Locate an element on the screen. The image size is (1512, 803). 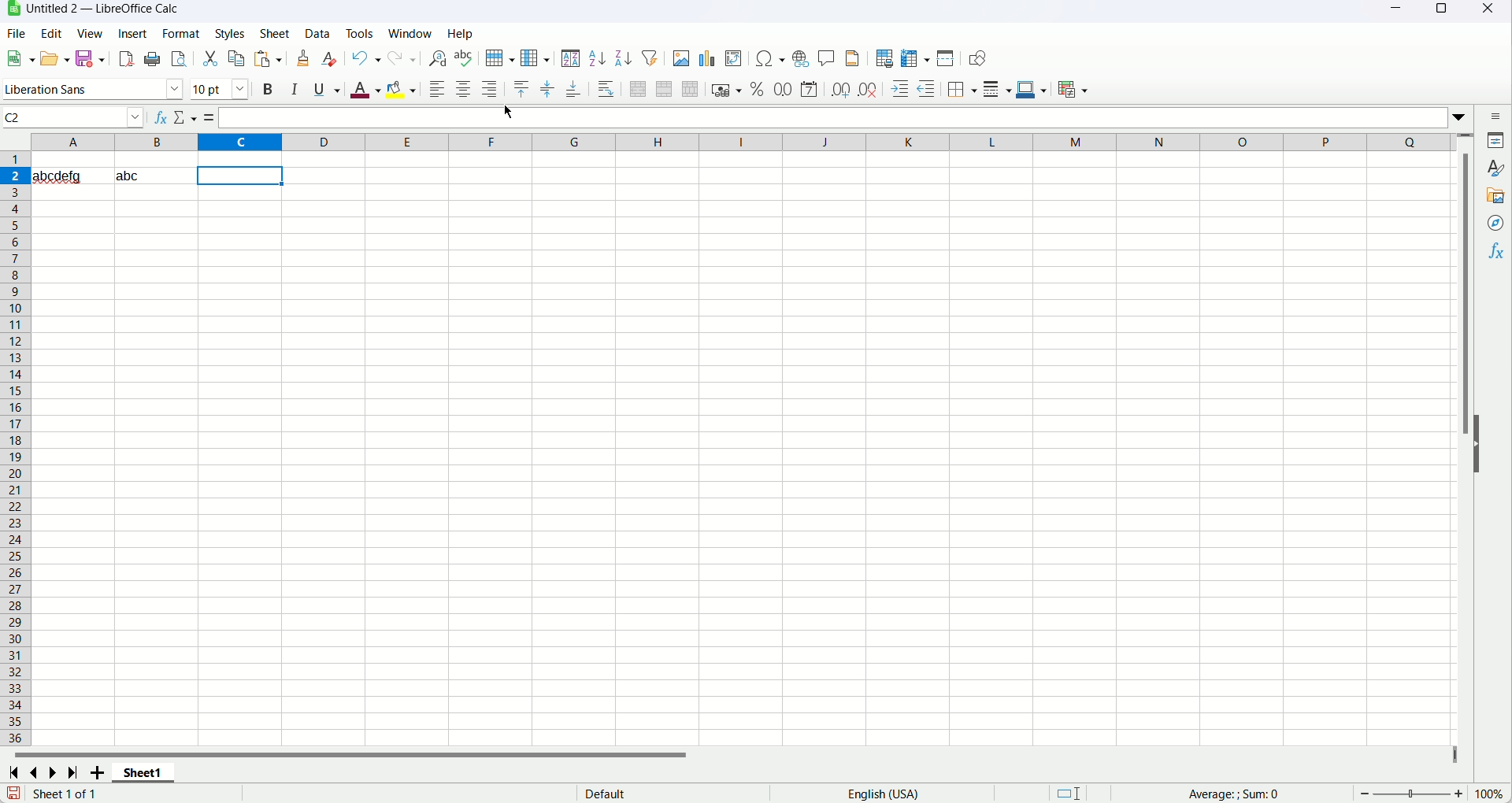
insert comment is located at coordinates (828, 57).